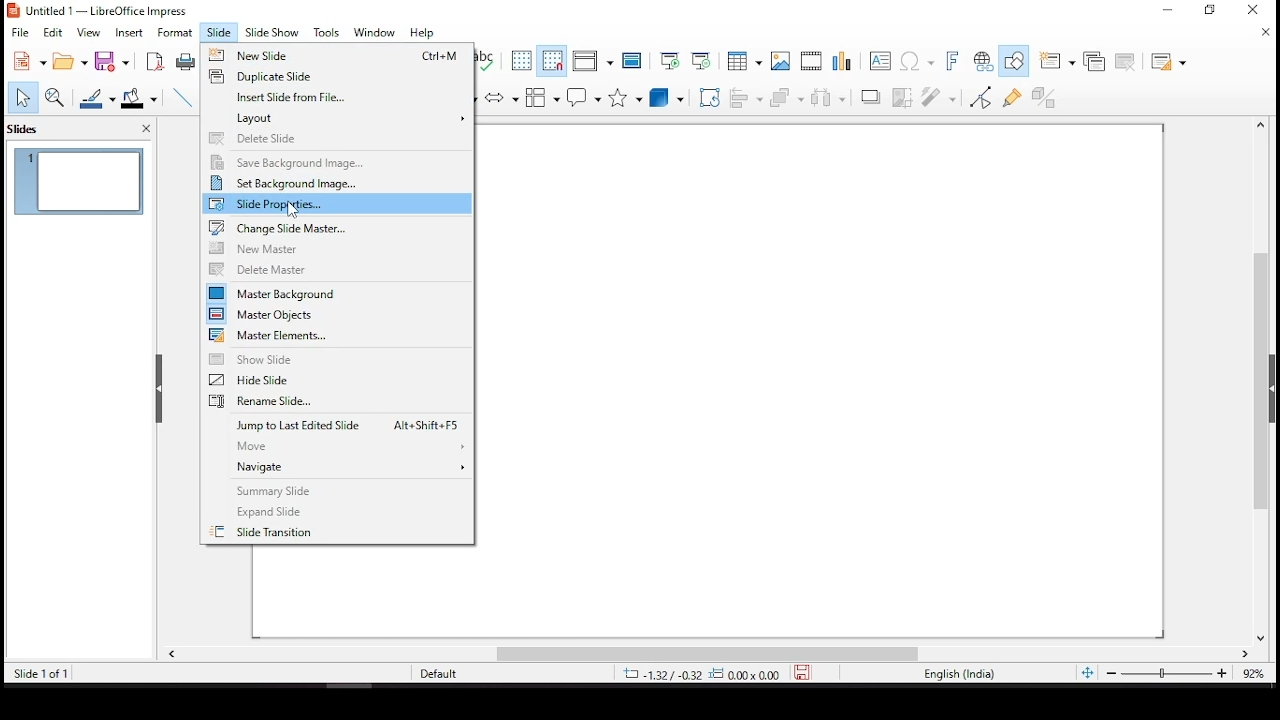 This screenshot has width=1280, height=720. Describe the element at coordinates (336, 424) in the screenshot. I see `jump to last edited slide` at that location.